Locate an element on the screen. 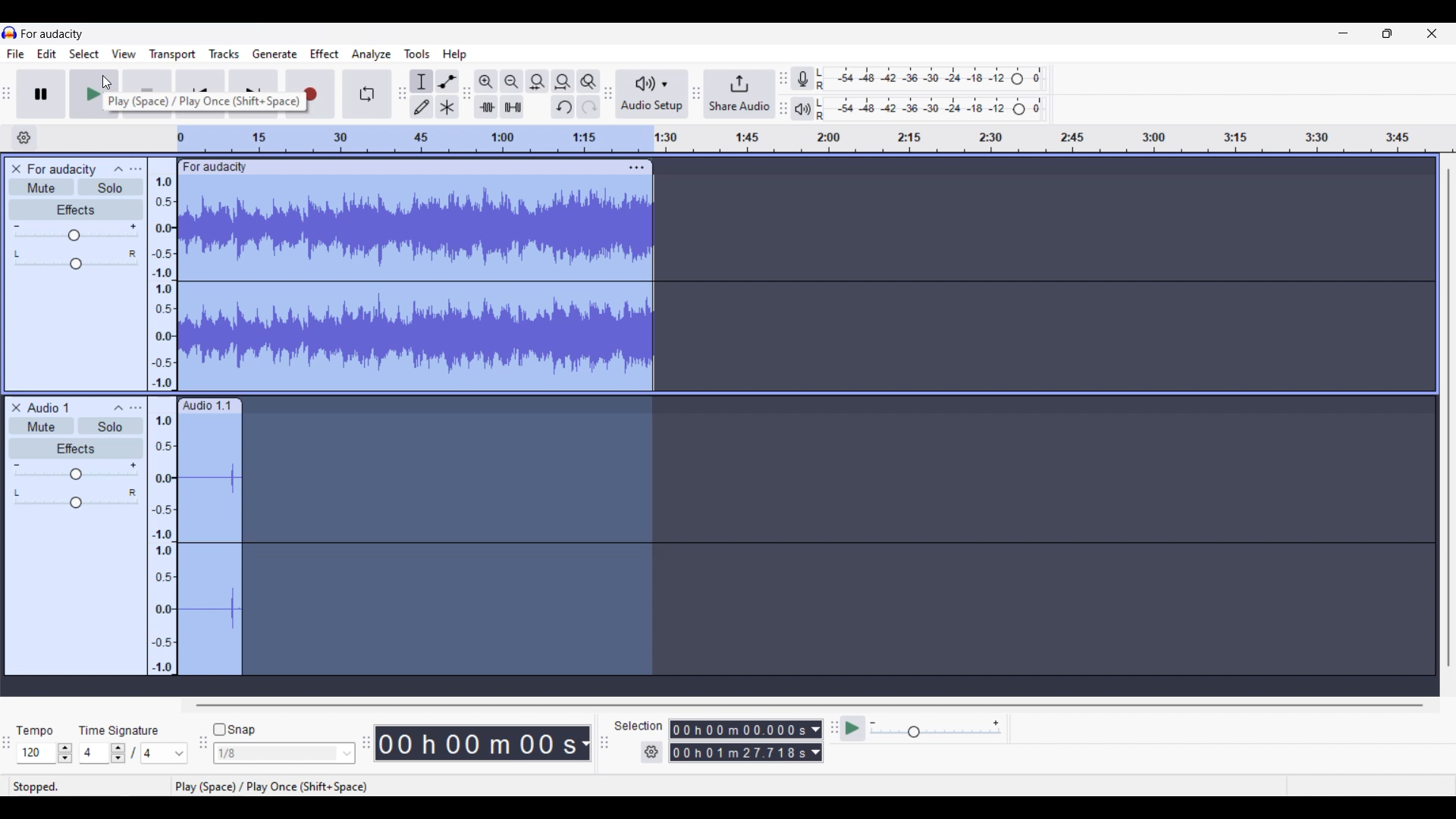 This screenshot has width=1456, height=819. Effects is located at coordinates (76, 209).